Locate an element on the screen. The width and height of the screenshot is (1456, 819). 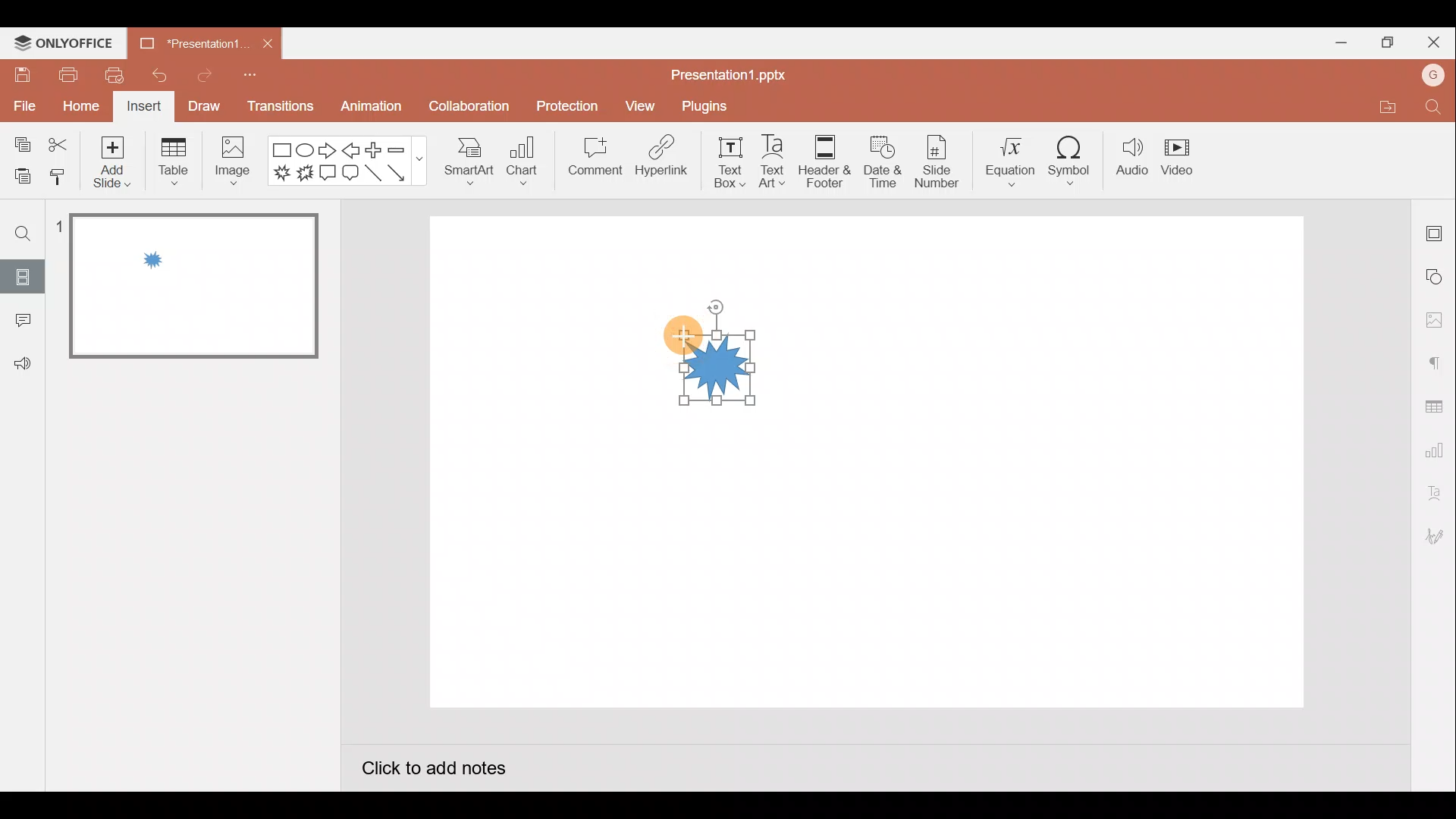
Plugins is located at coordinates (706, 103).